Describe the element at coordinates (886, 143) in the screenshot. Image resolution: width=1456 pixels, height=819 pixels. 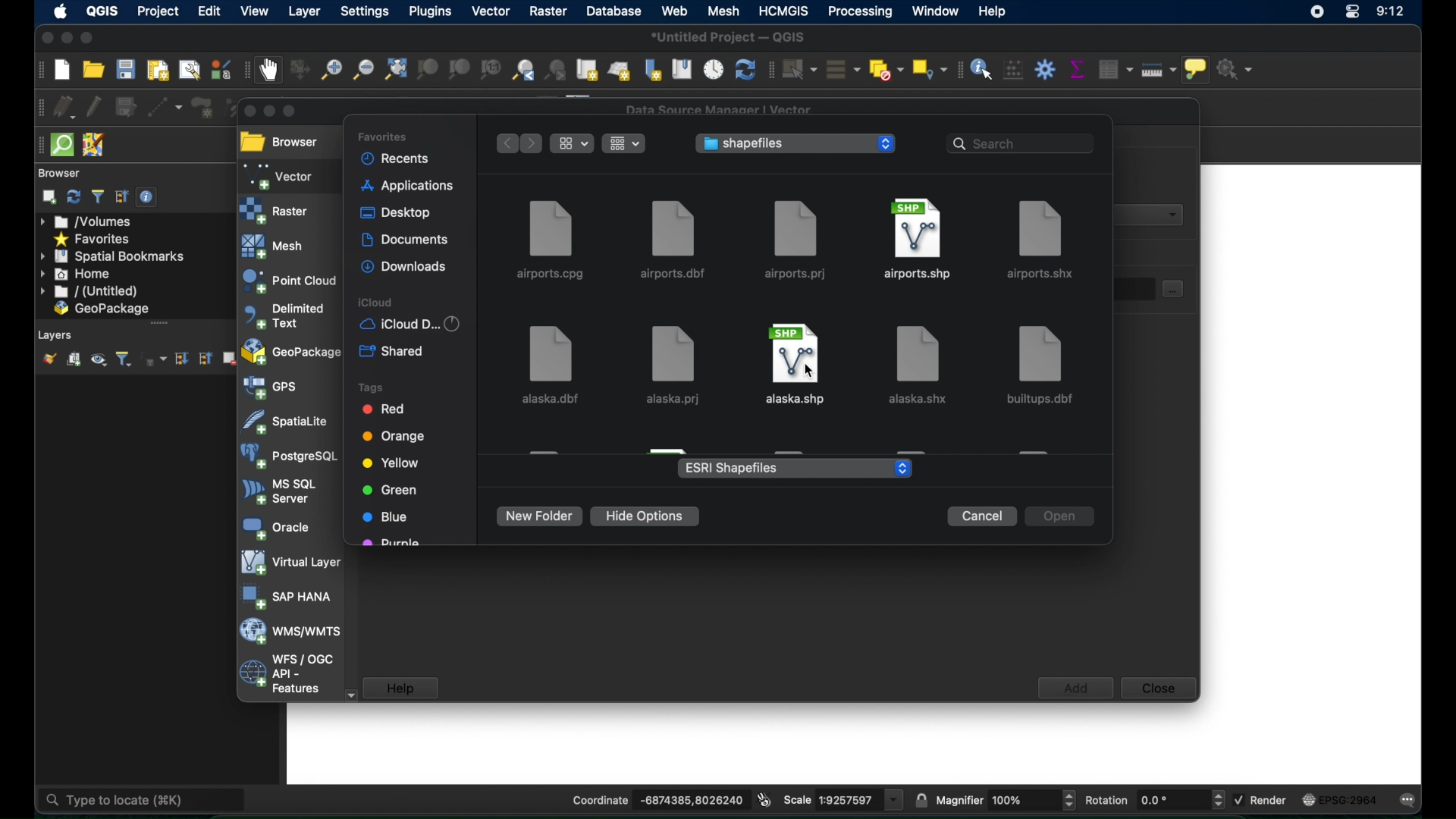
I see `stepper buttons` at that location.